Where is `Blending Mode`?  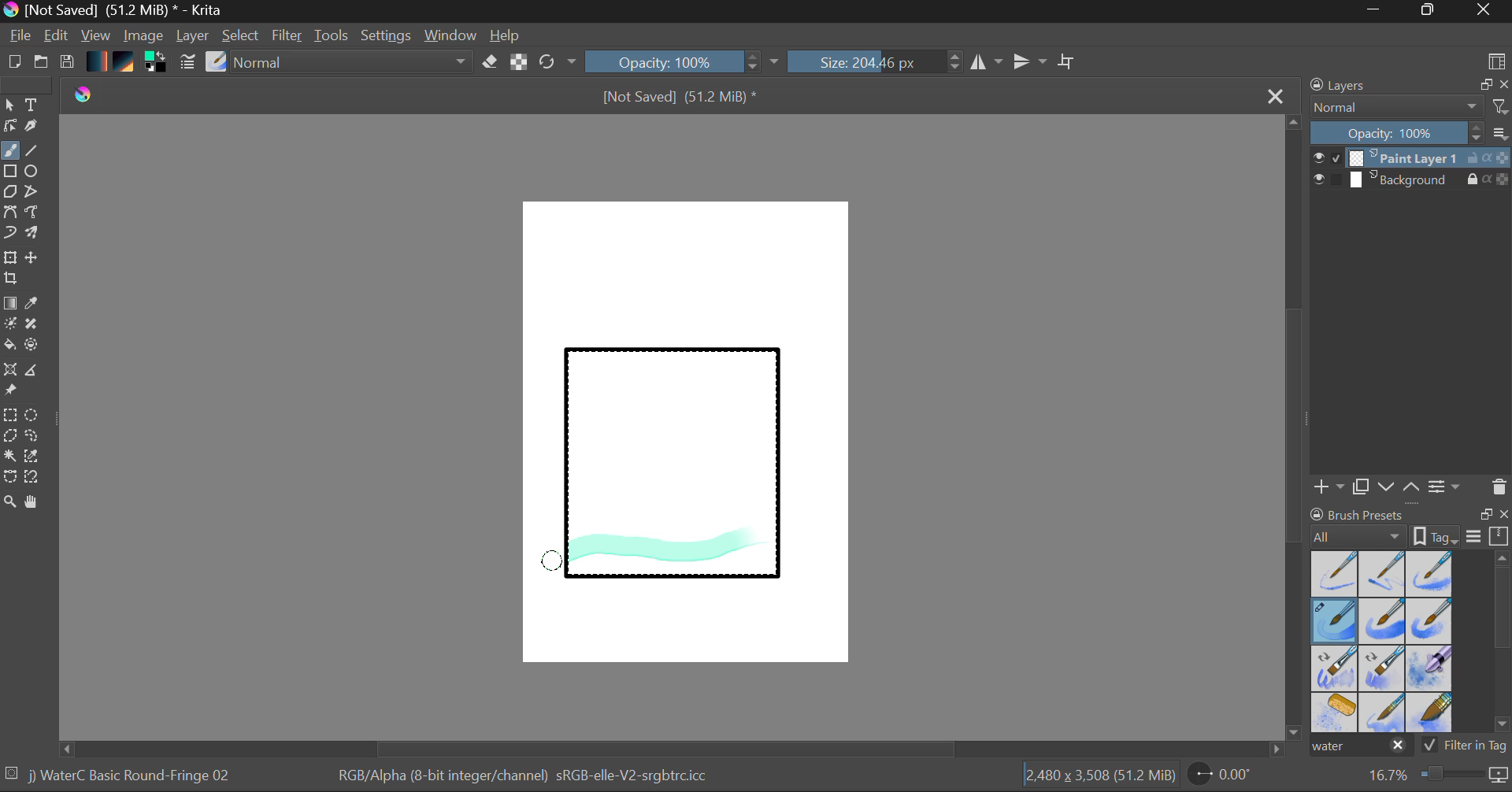 Blending Mode is located at coordinates (1410, 107).